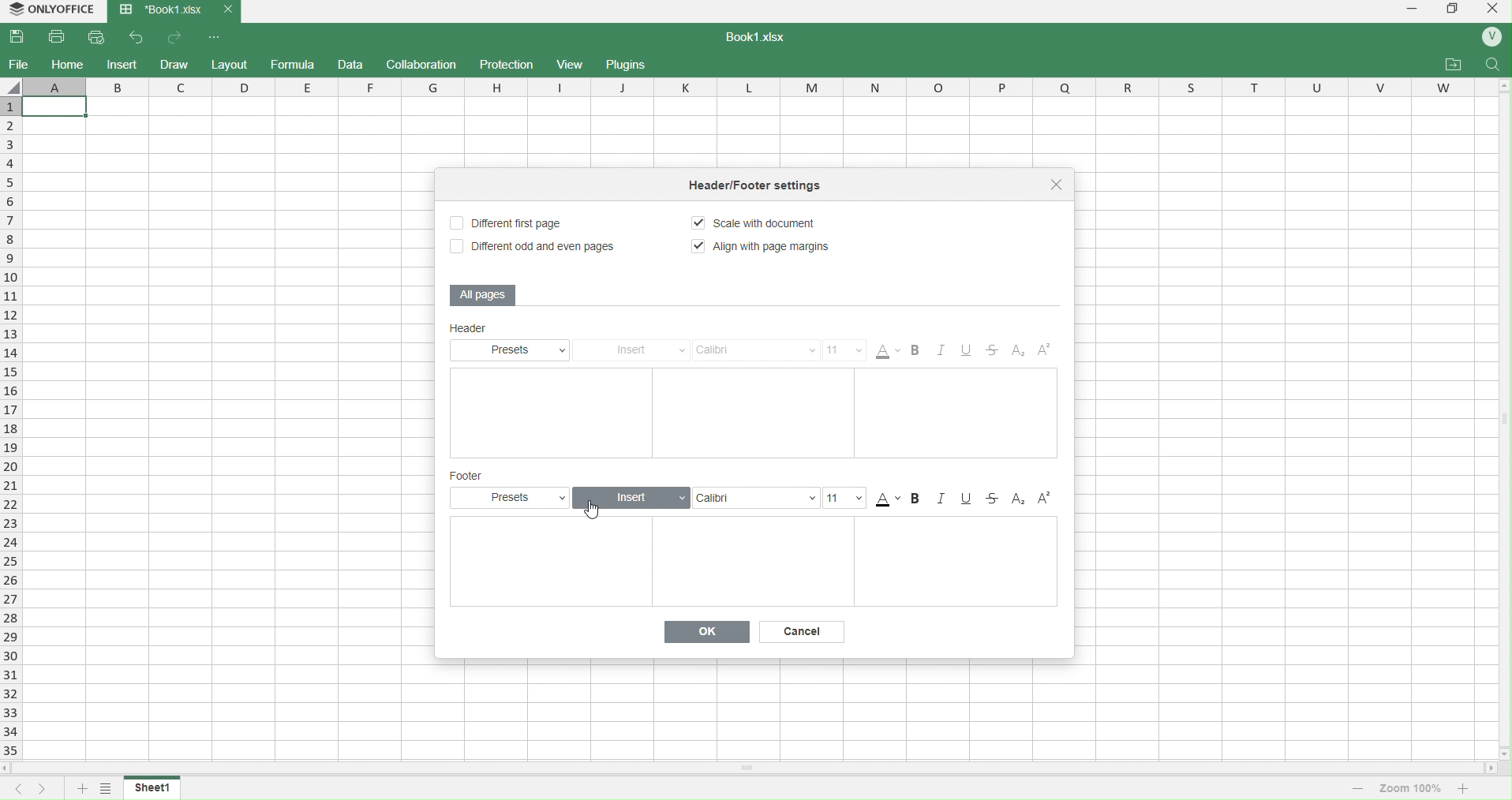 The width and height of the screenshot is (1512, 800). Describe the element at coordinates (919, 352) in the screenshot. I see `Bold` at that location.